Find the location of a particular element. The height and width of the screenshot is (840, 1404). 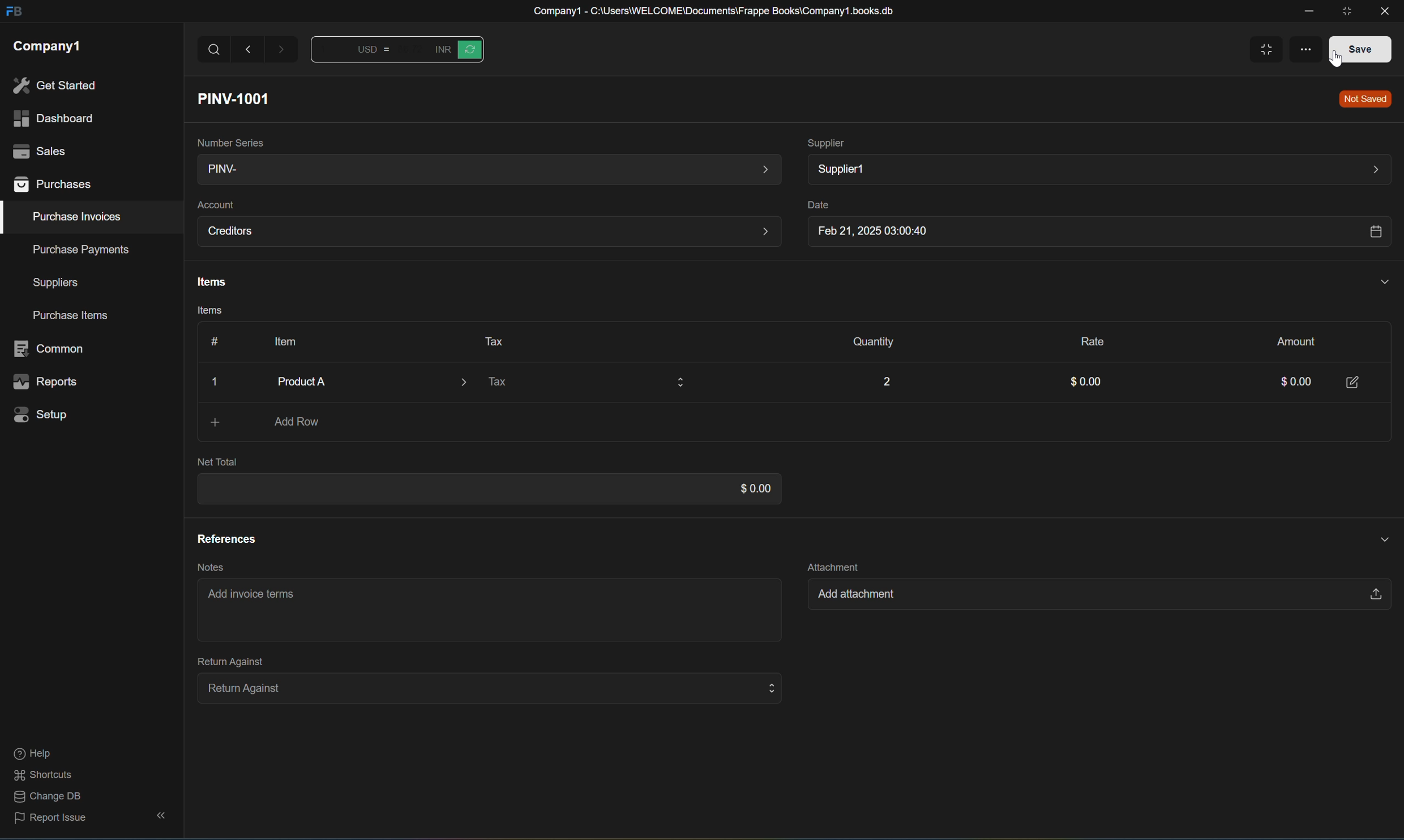

Quantity is located at coordinates (867, 342).